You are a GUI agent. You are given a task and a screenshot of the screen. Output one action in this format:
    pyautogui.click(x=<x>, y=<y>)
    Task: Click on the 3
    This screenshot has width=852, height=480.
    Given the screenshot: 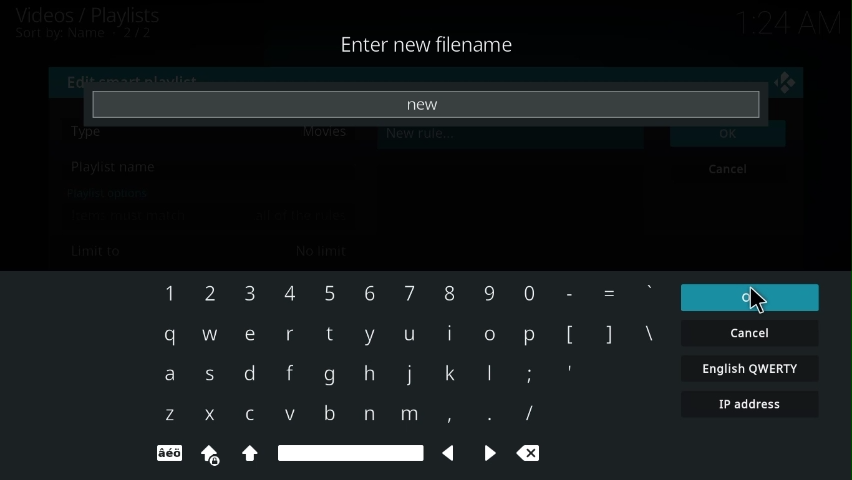 What is the action you would take?
    pyautogui.click(x=249, y=293)
    